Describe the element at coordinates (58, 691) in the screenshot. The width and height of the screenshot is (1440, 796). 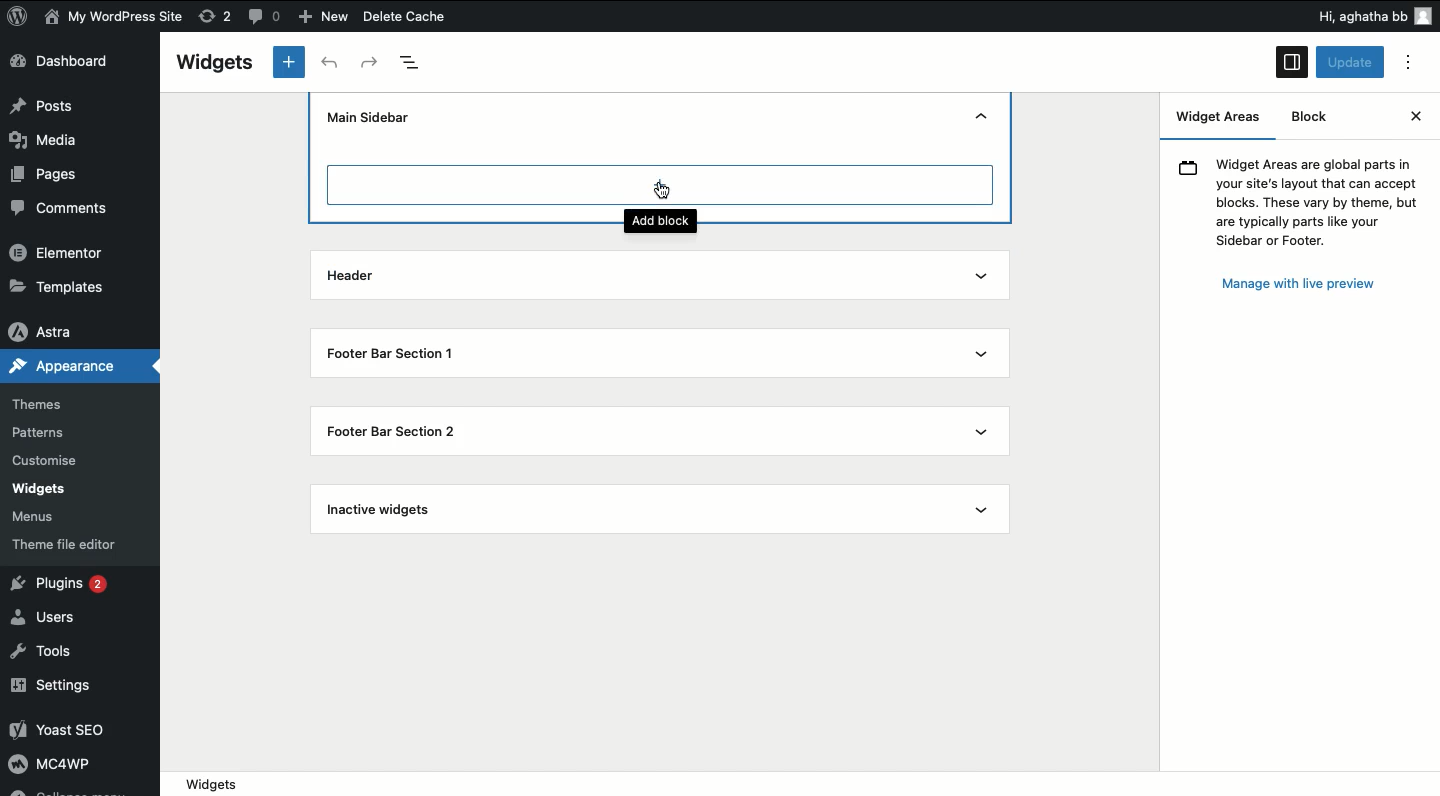
I see `Settings` at that location.